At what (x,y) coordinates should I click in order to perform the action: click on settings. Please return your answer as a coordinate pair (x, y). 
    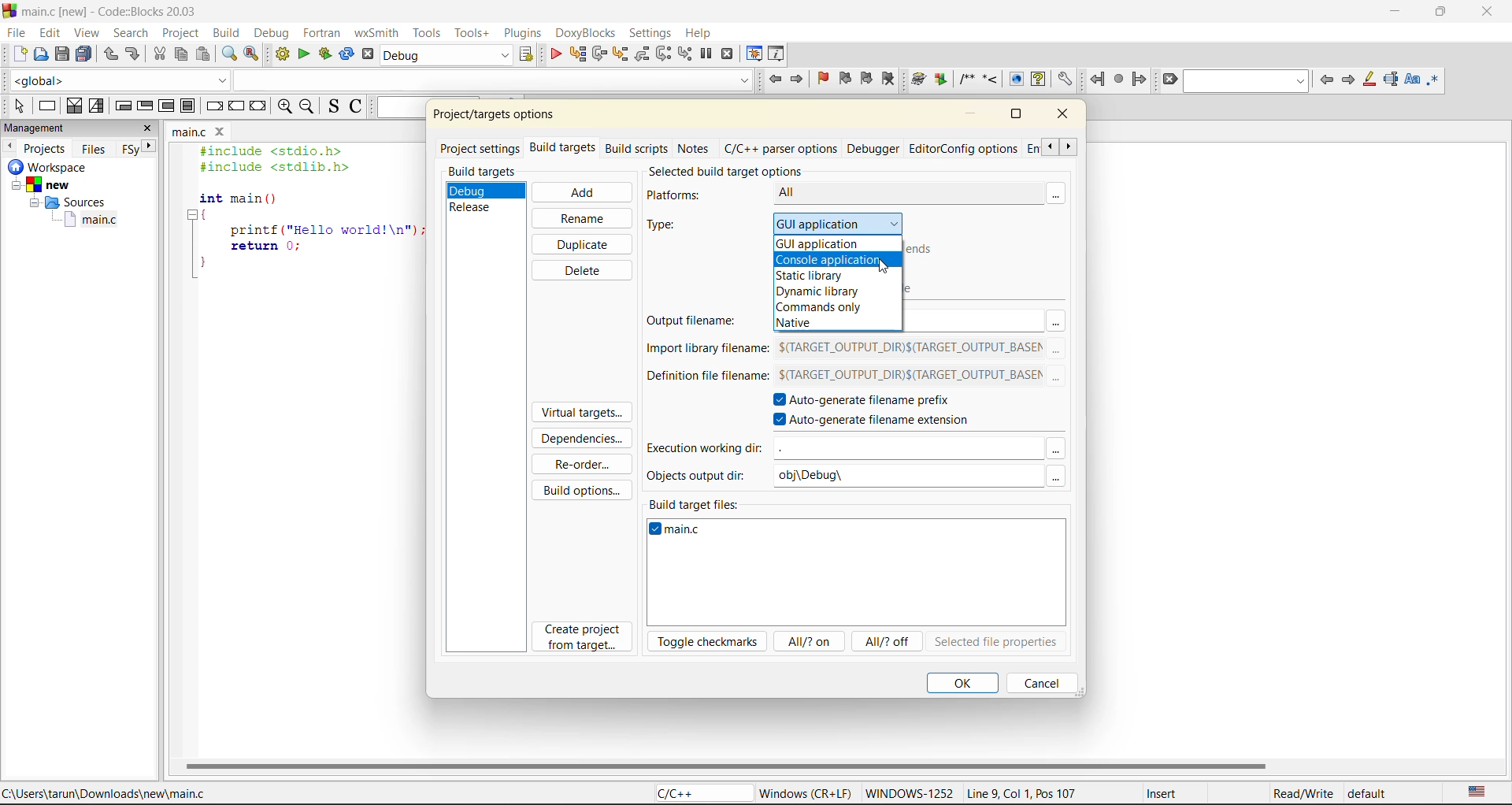
    Looking at the image, I should click on (651, 34).